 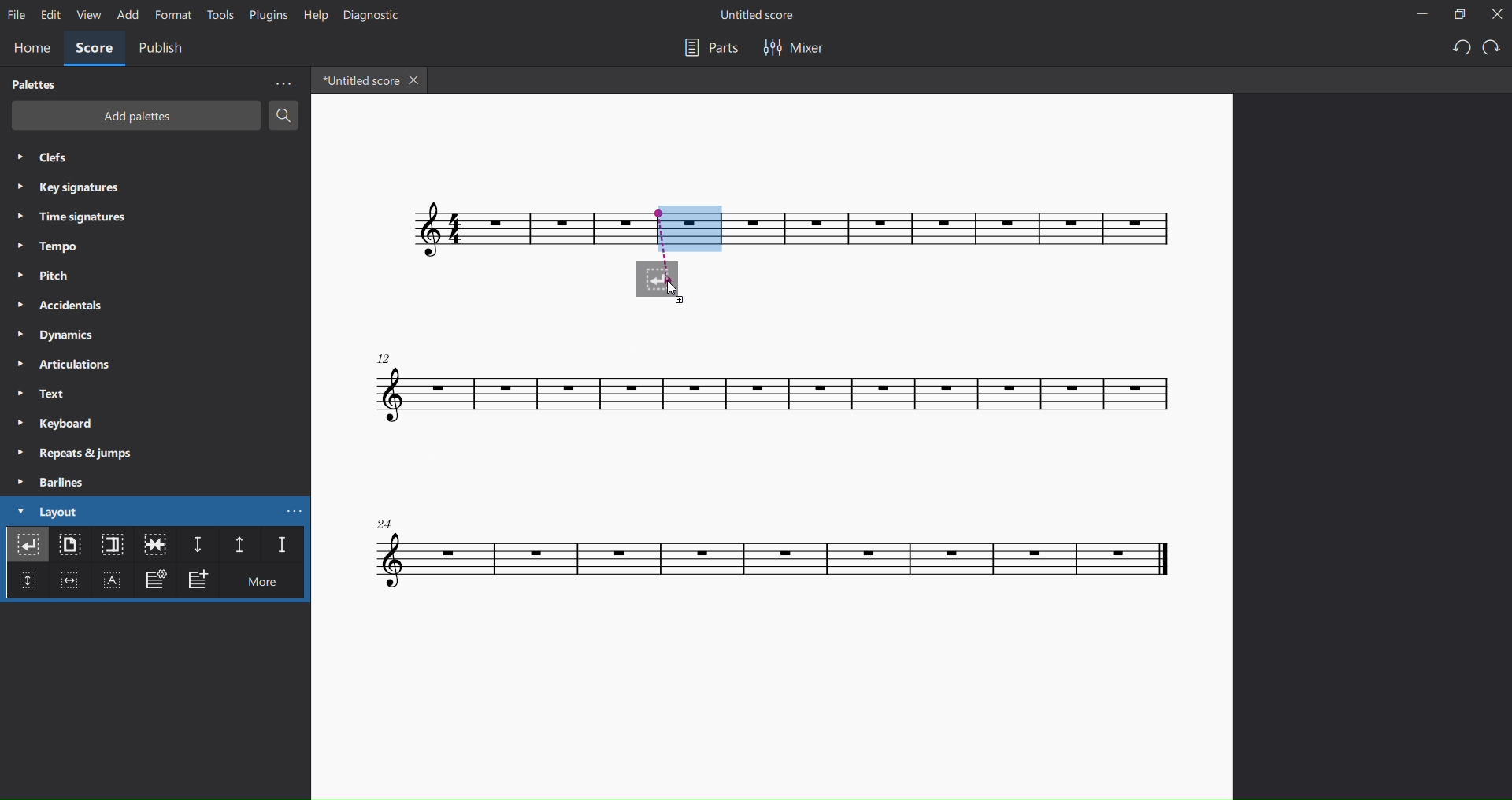 What do you see at coordinates (55, 424) in the screenshot?
I see `keyboard` at bounding box center [55, 424].